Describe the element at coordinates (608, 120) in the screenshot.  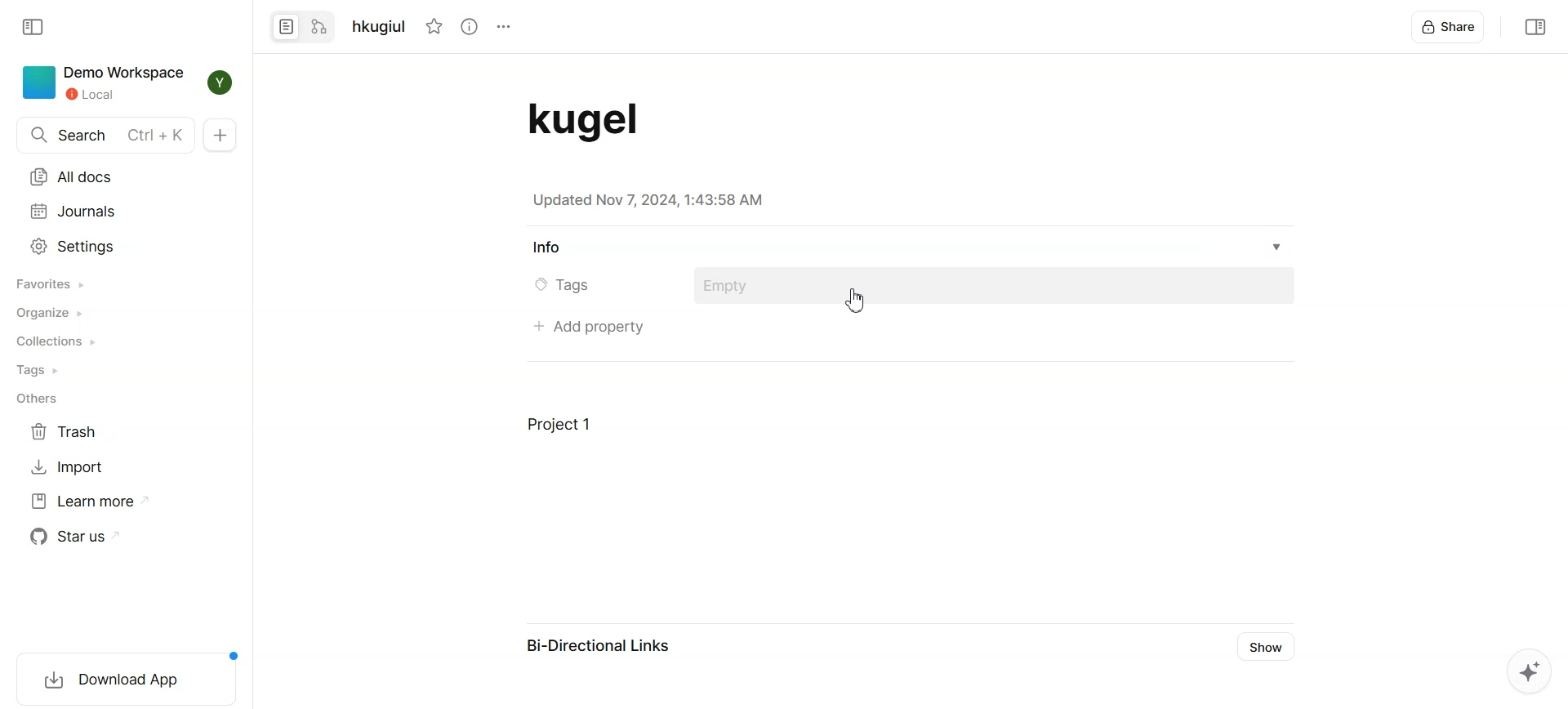
I see `Document Title` at that location.